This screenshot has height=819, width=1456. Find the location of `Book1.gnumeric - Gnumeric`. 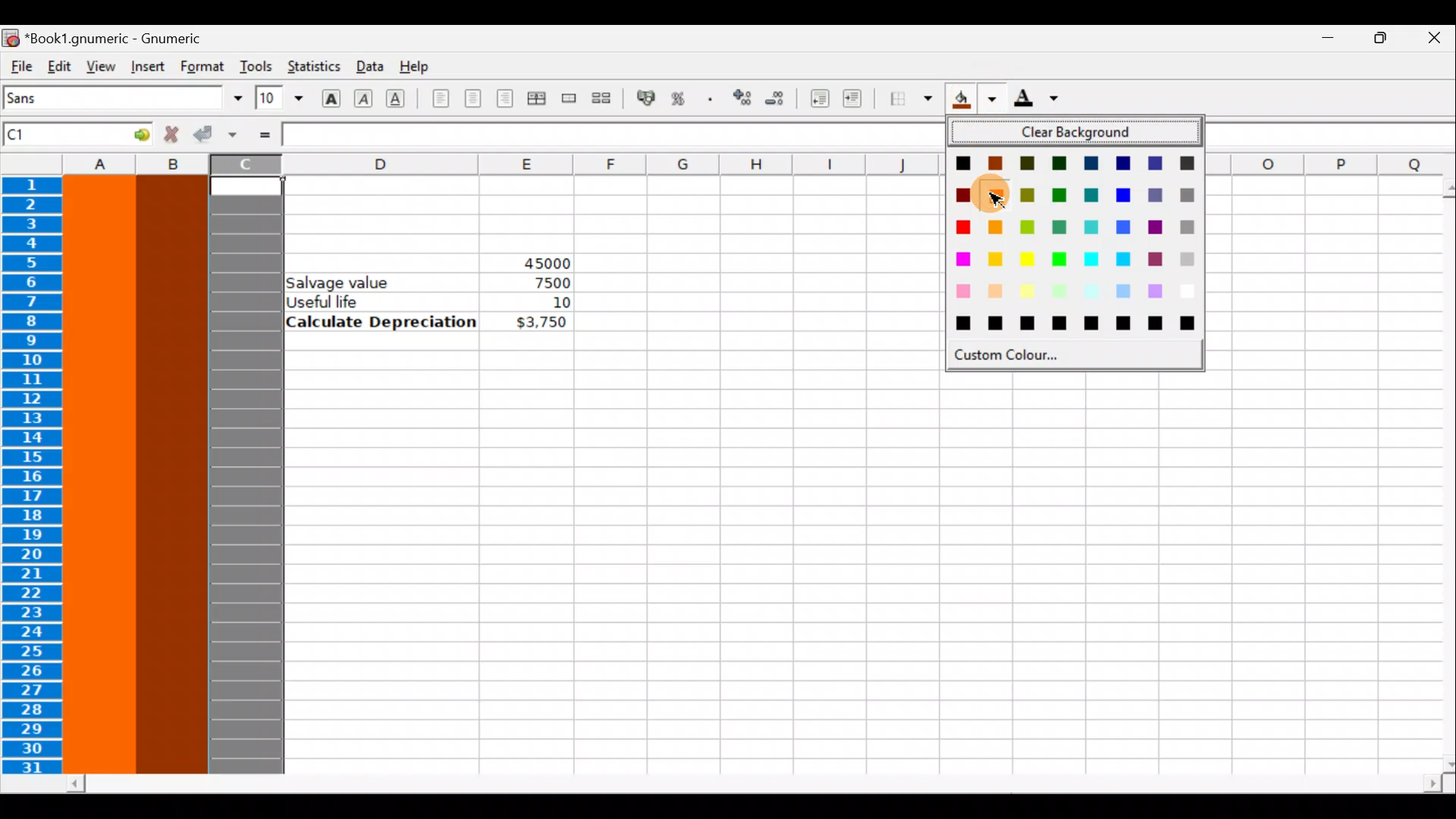

Book1.gnumeric - Gnumeric is located at coordinates (122, 37).